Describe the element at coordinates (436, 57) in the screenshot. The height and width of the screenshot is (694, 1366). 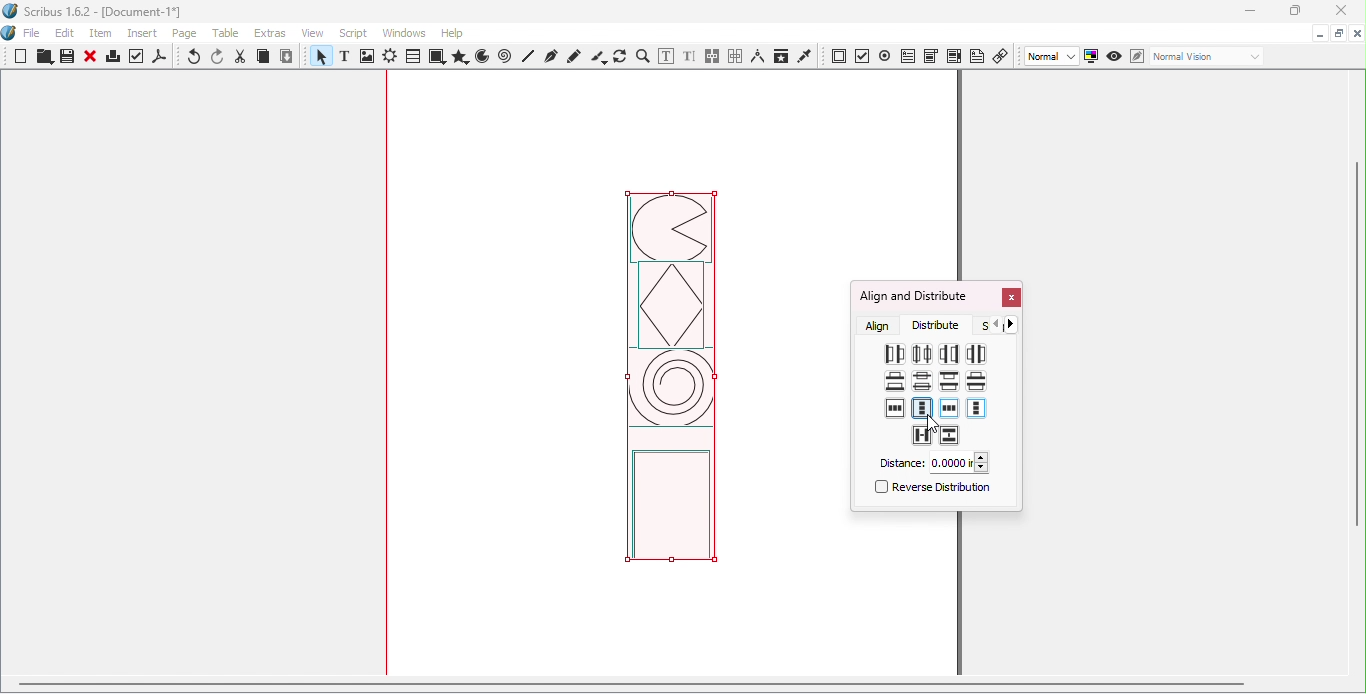
I see `Shapes` at that location.